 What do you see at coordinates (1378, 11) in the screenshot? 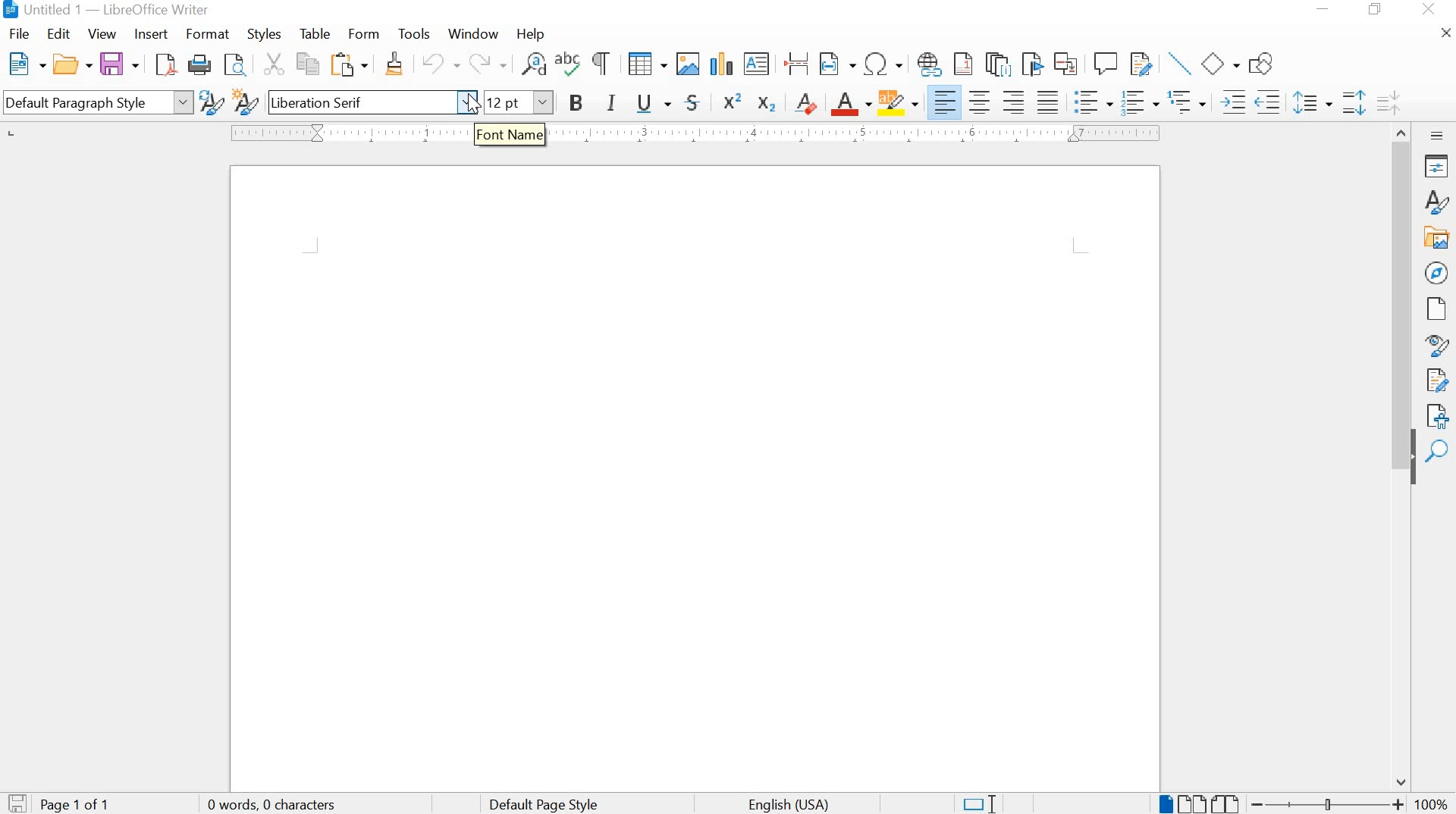
I see `RESTORE DOWN` at bounding box center [1378, 11].